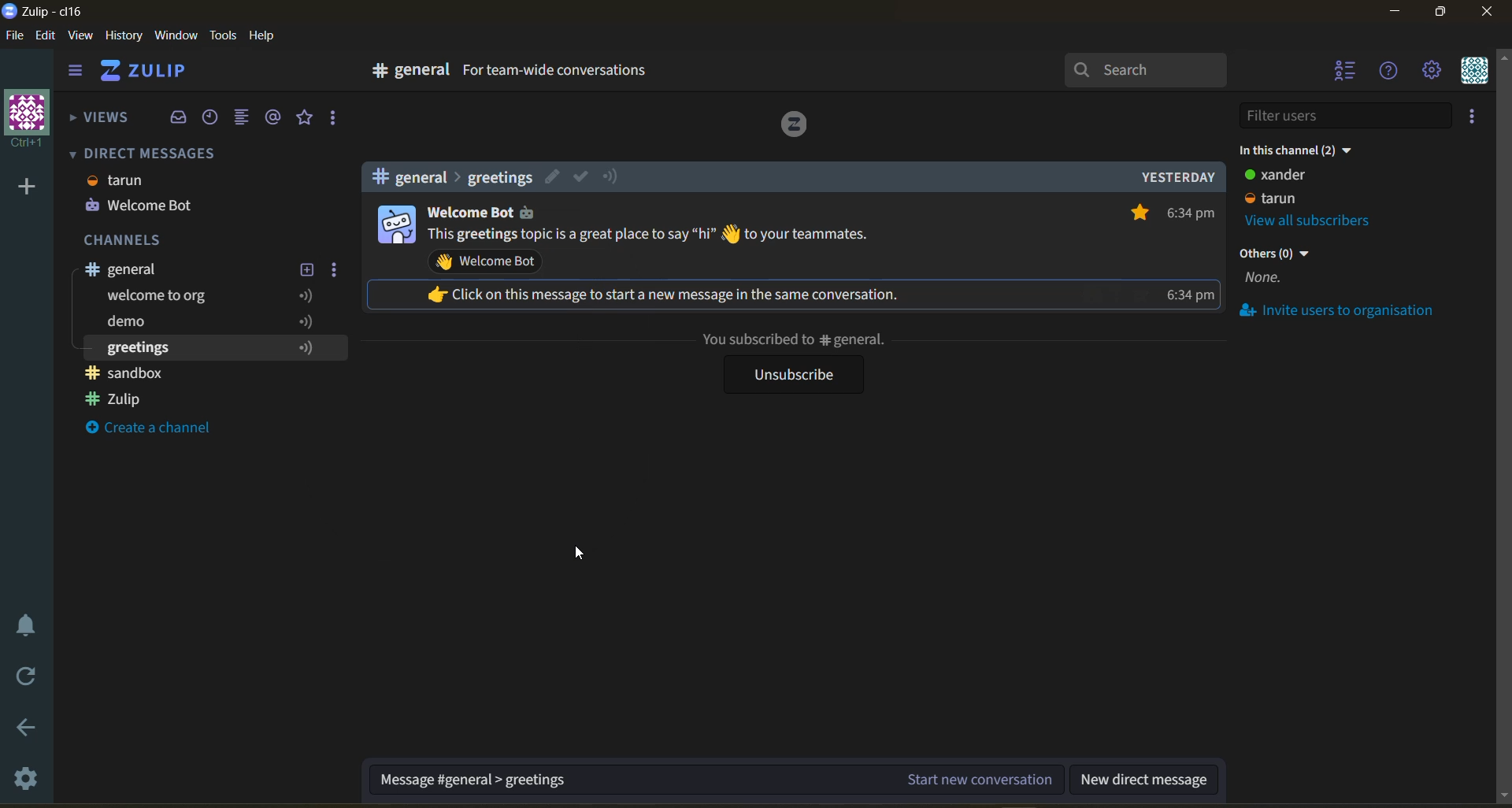 This screenshot has width=1512, height=808. What do you see at coordinates (335, 270) in the screenshot?
I see `settings` at bounding box center [335, 270].